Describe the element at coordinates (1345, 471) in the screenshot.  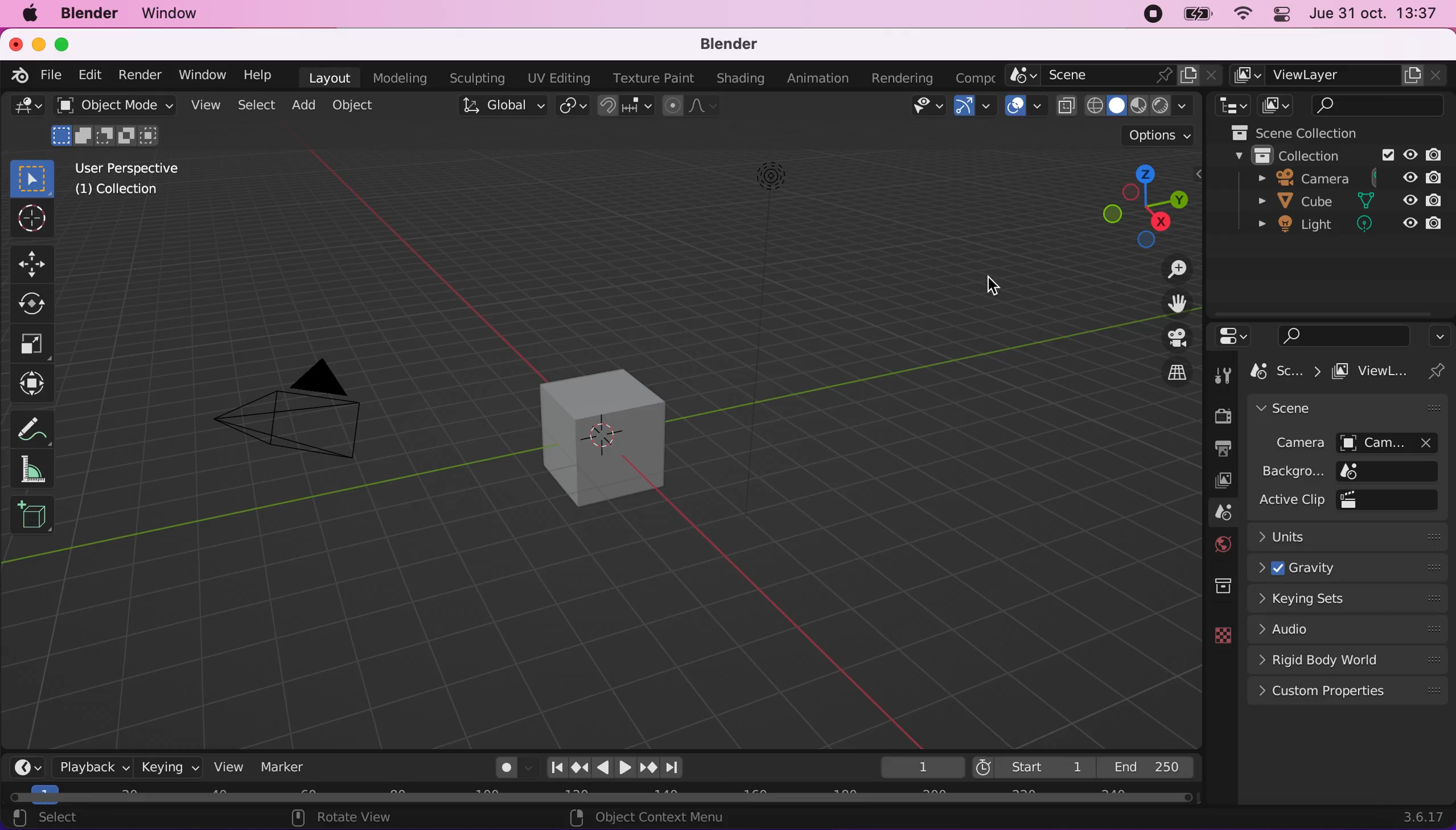
I see `background` at that location.